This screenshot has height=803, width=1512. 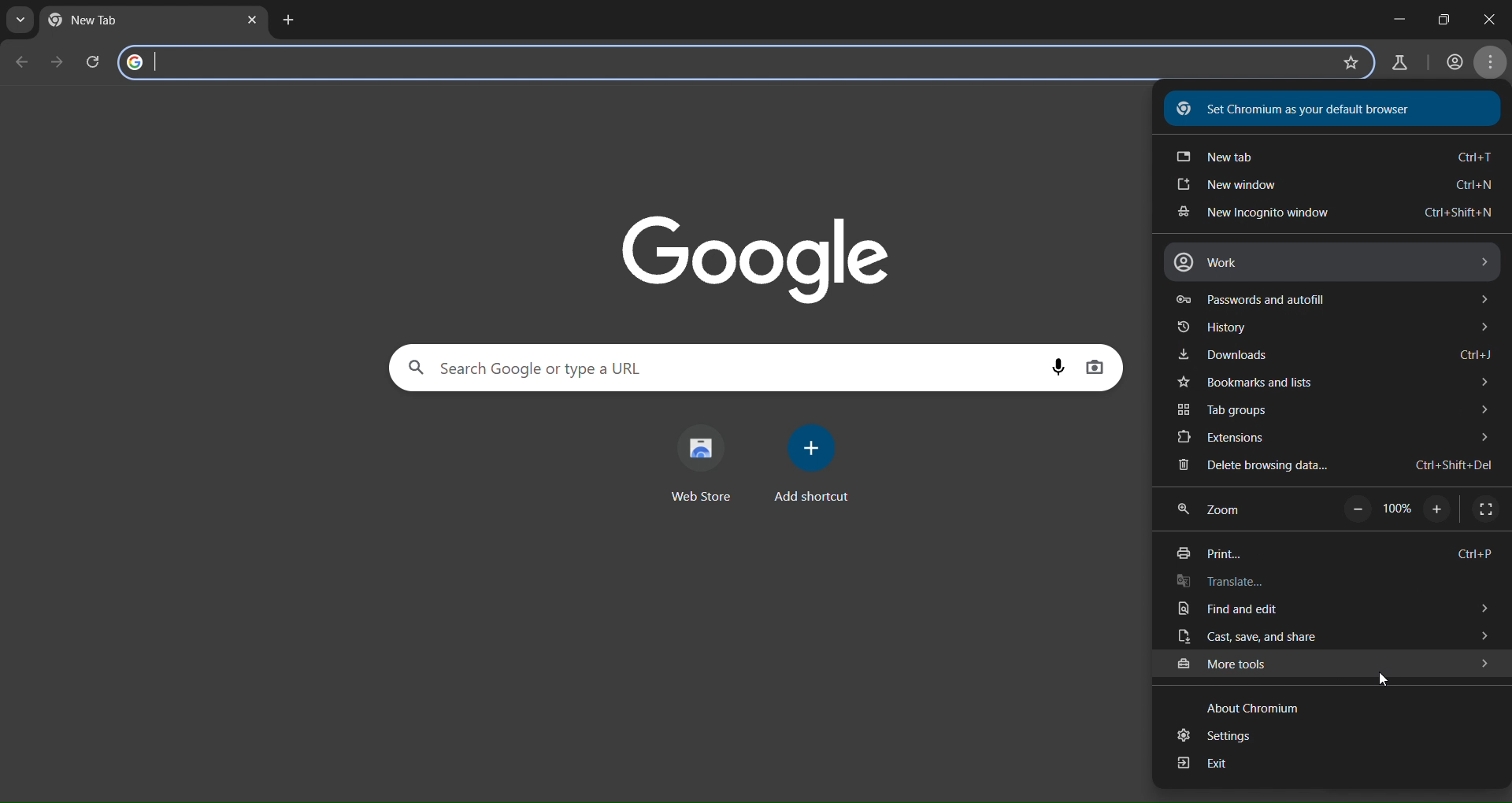 What do you see at coordinates (1333, 612) in the screenshot?
I see `find and edit` at bounding box center [1333, 612].